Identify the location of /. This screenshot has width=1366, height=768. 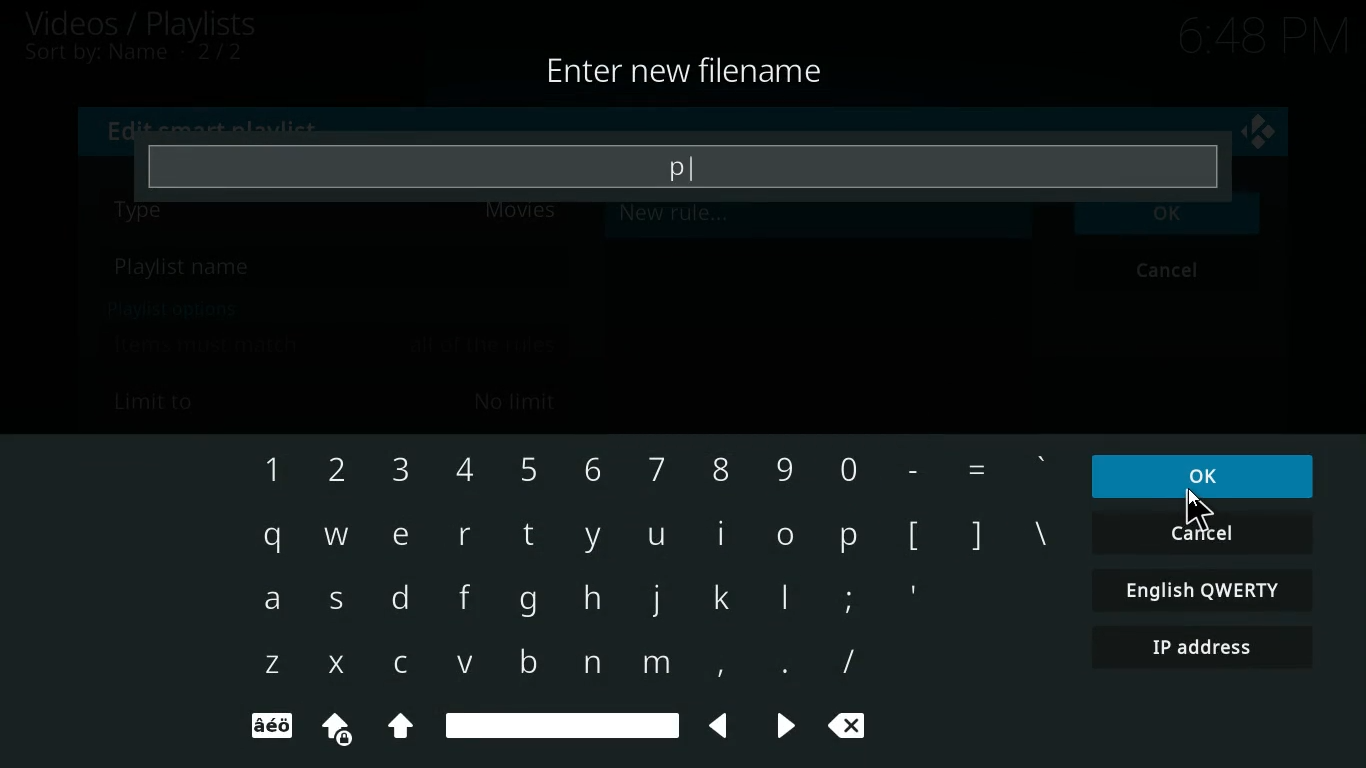
(848, 662).